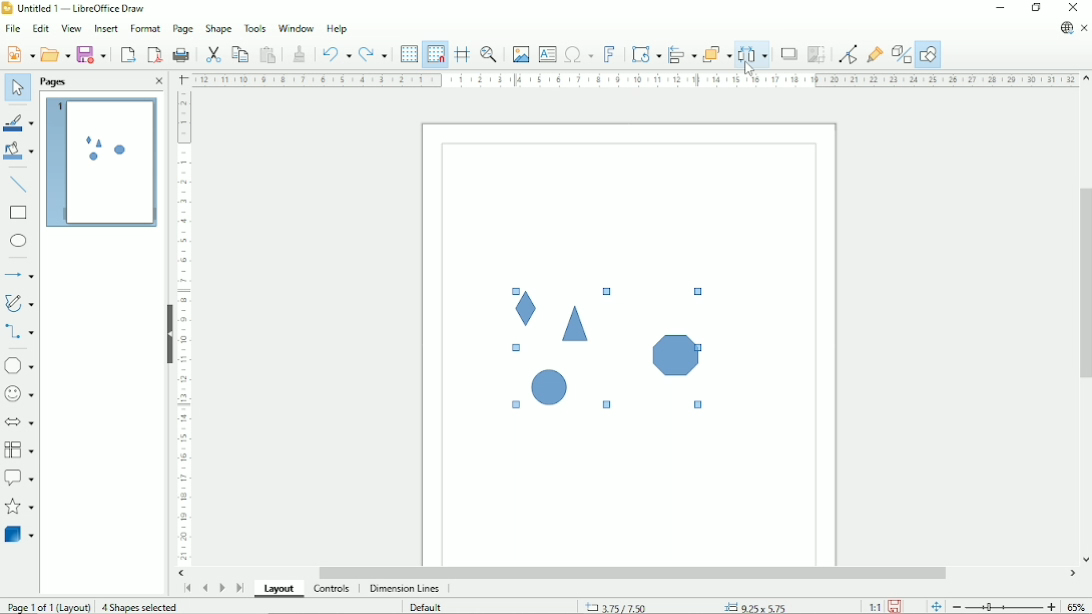 This screenshot has height=614, width=1092. Describe the element at coordinates (1084, 286) in the screenshot. I see `Vertical scrollbar` at that location.